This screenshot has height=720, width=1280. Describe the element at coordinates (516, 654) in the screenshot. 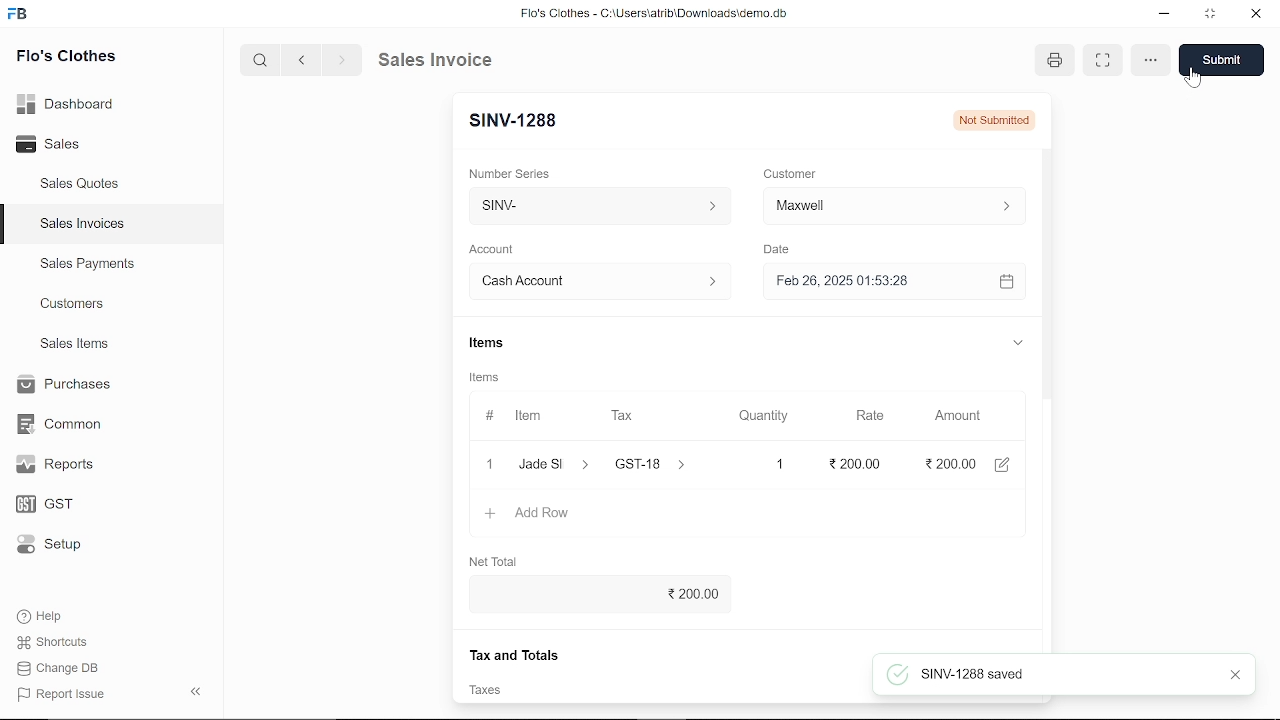

I see `Tax and Totals` at that location.